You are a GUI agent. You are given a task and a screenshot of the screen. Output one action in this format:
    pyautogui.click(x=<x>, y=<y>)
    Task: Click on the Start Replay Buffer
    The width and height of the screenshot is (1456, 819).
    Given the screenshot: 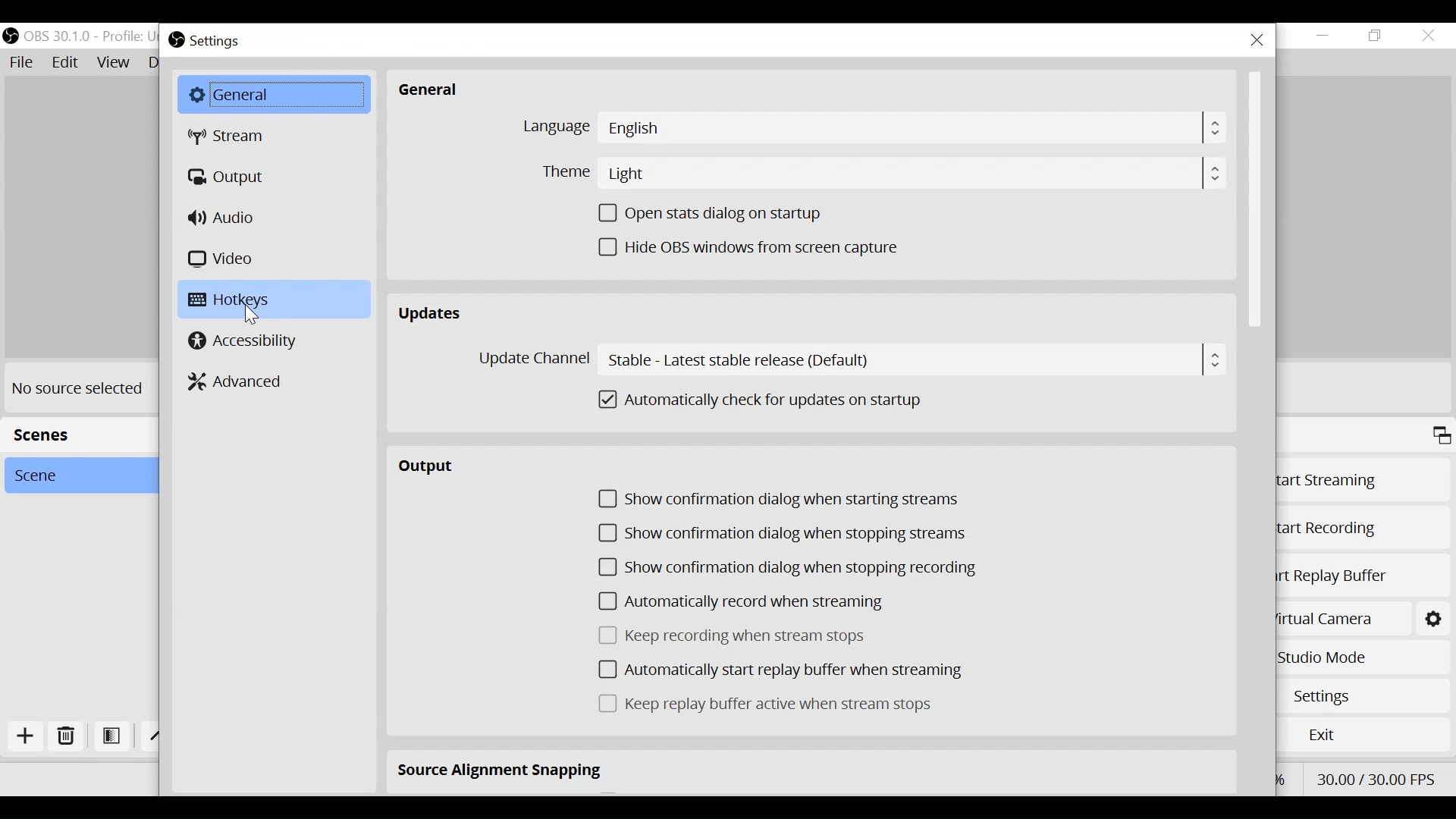 What is the action you would take?
    pyautogui.click(x=1363, y=580)
    